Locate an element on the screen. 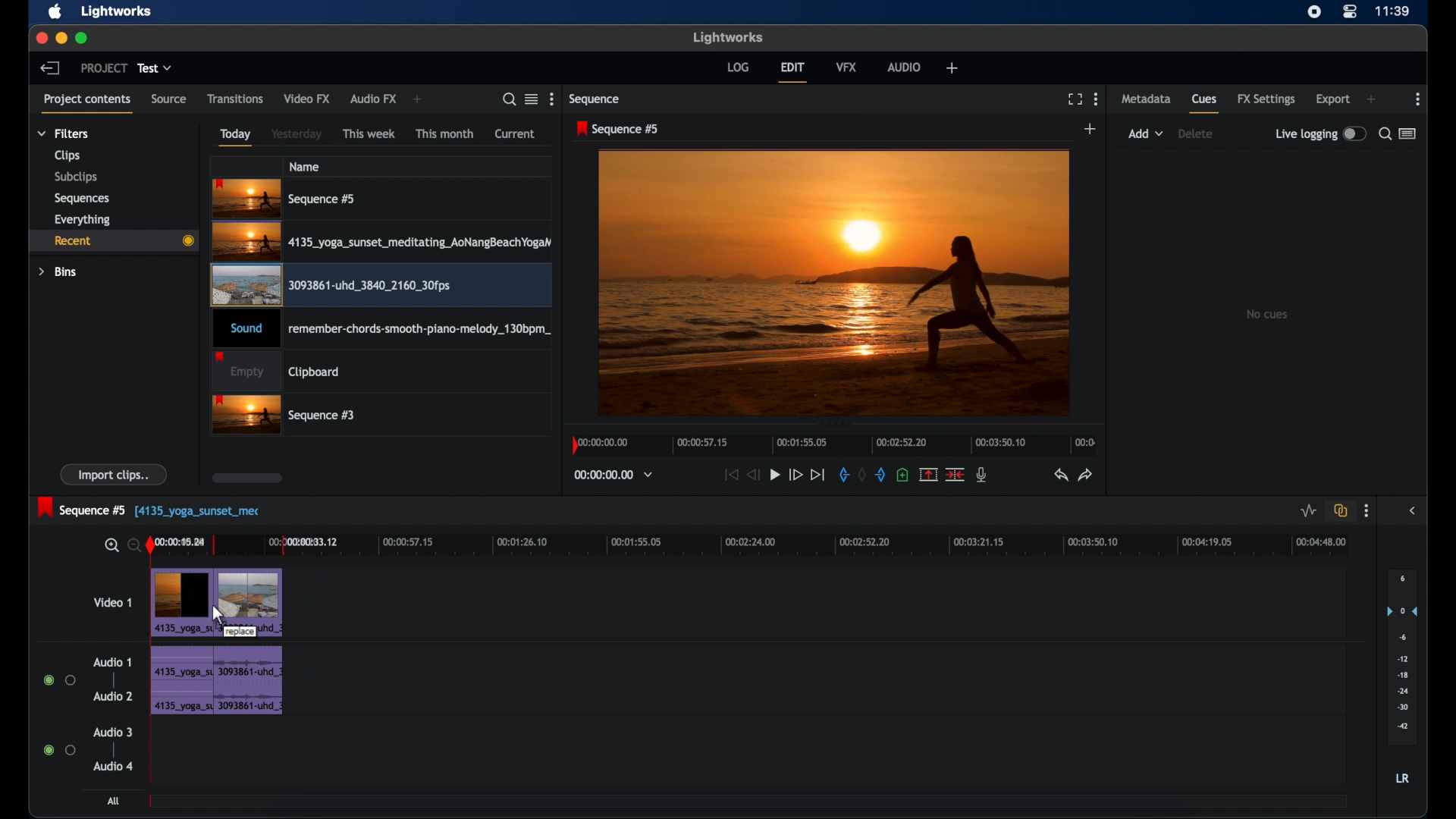 Image resolution: width=1456 pixels, height=819 pixels. search is located at coordinates (1384, 135).